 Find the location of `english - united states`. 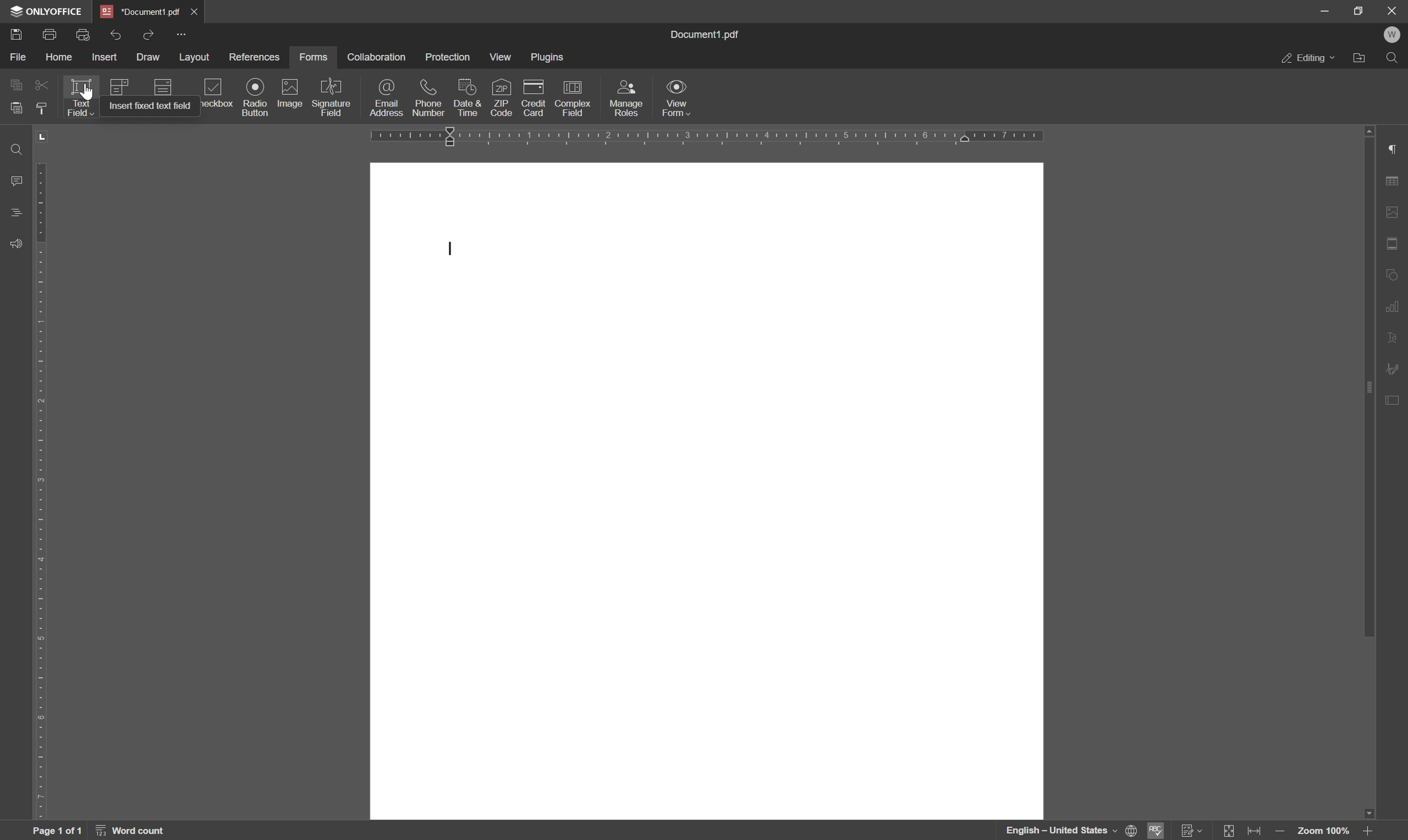

english - united states is located at coordinates (1061, 830).